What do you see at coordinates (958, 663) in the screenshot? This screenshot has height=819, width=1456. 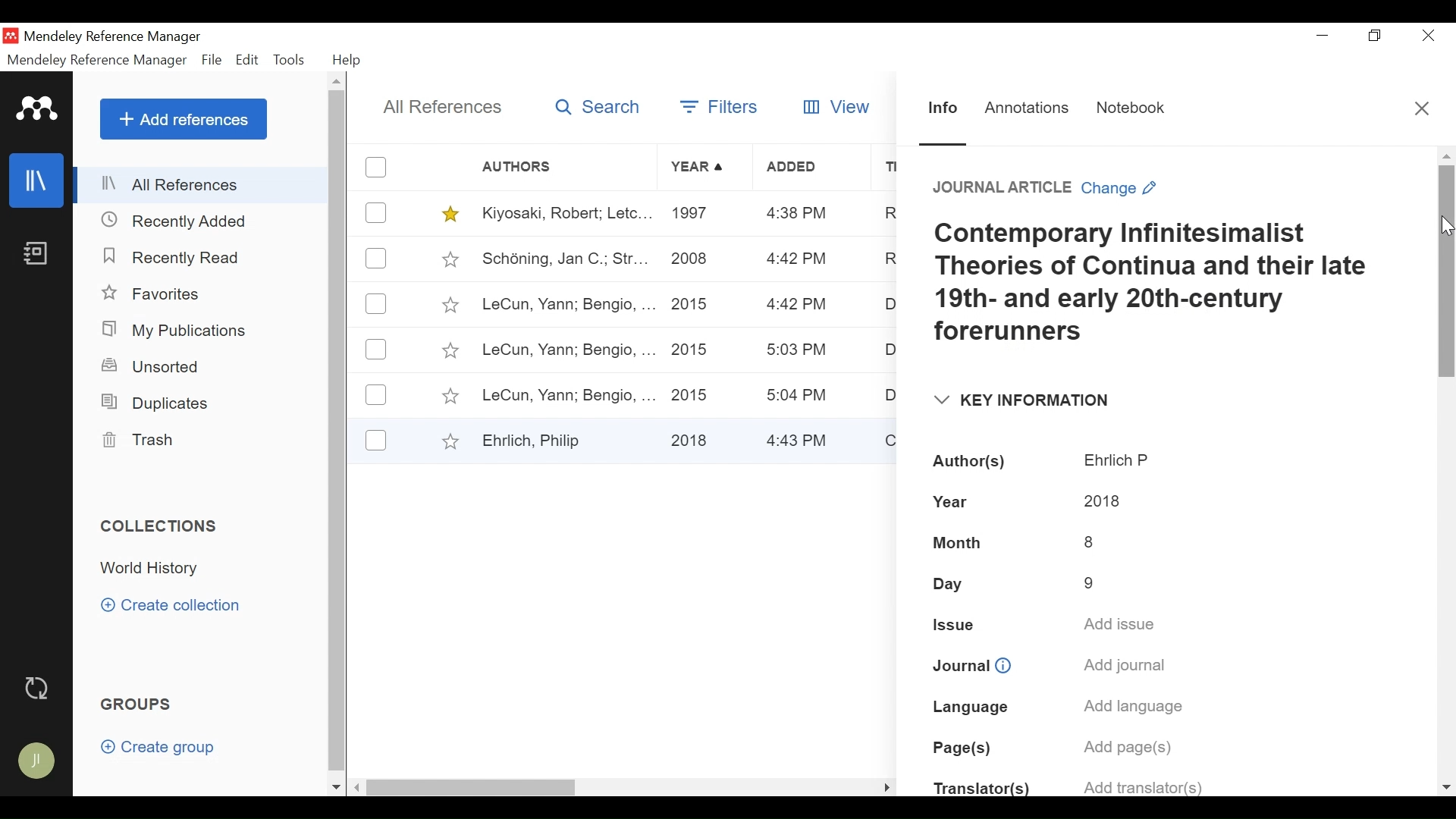 I see `Journal` at bounding box center [958, 663].